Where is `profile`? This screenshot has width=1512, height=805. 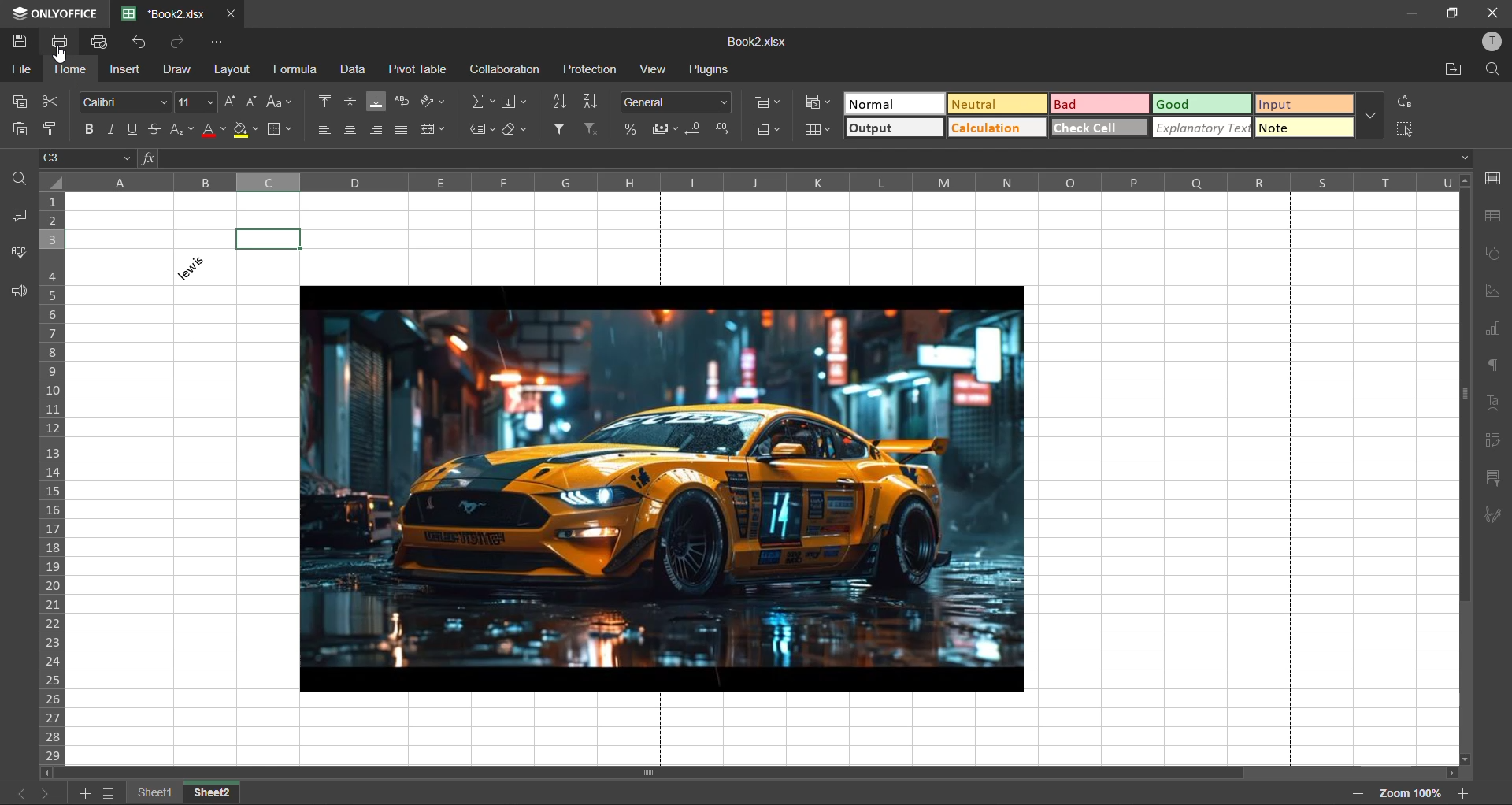
profile is located at coordinates (1490, 42).